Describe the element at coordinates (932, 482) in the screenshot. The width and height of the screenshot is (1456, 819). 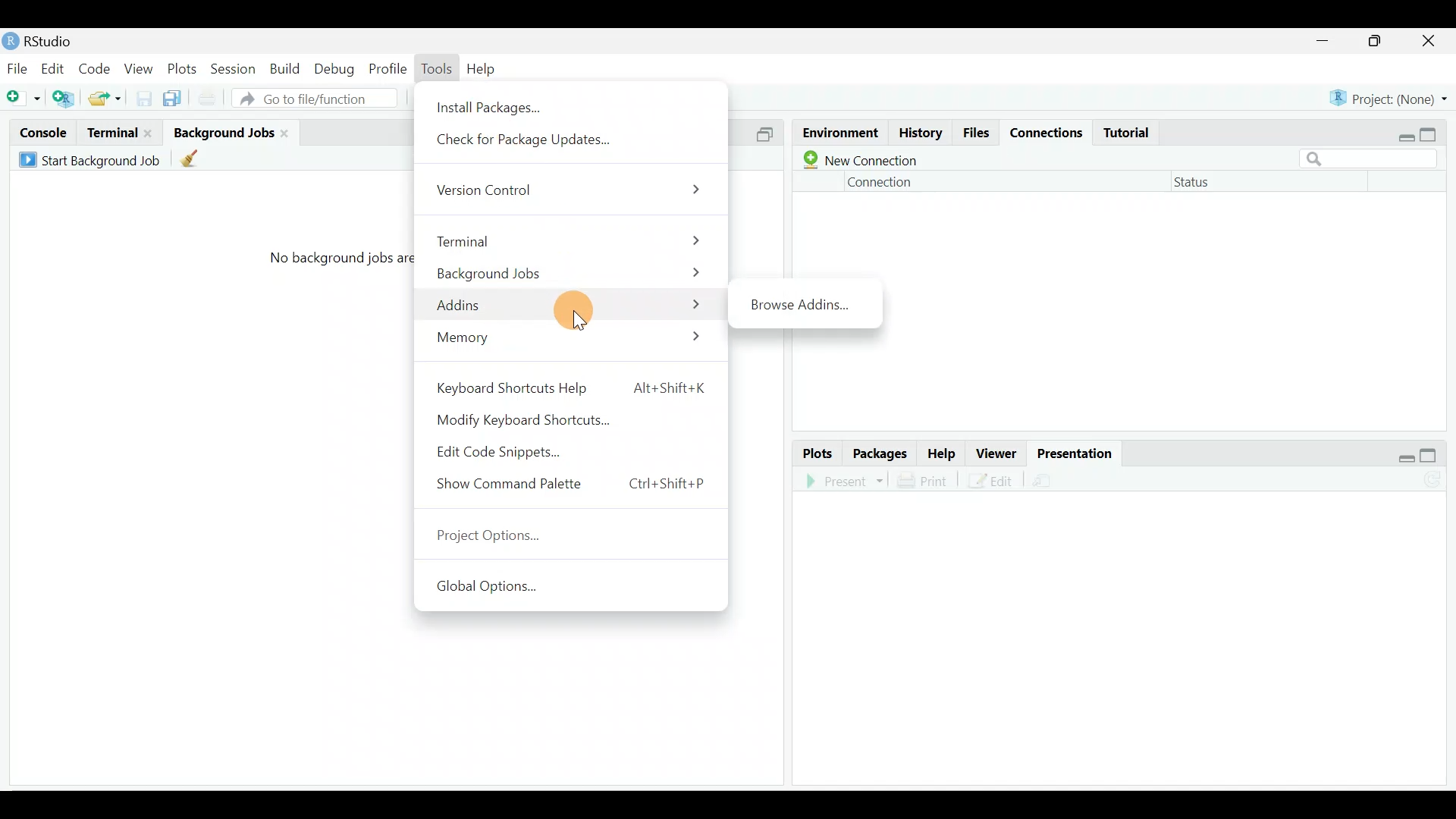
I see `Print` at that location.